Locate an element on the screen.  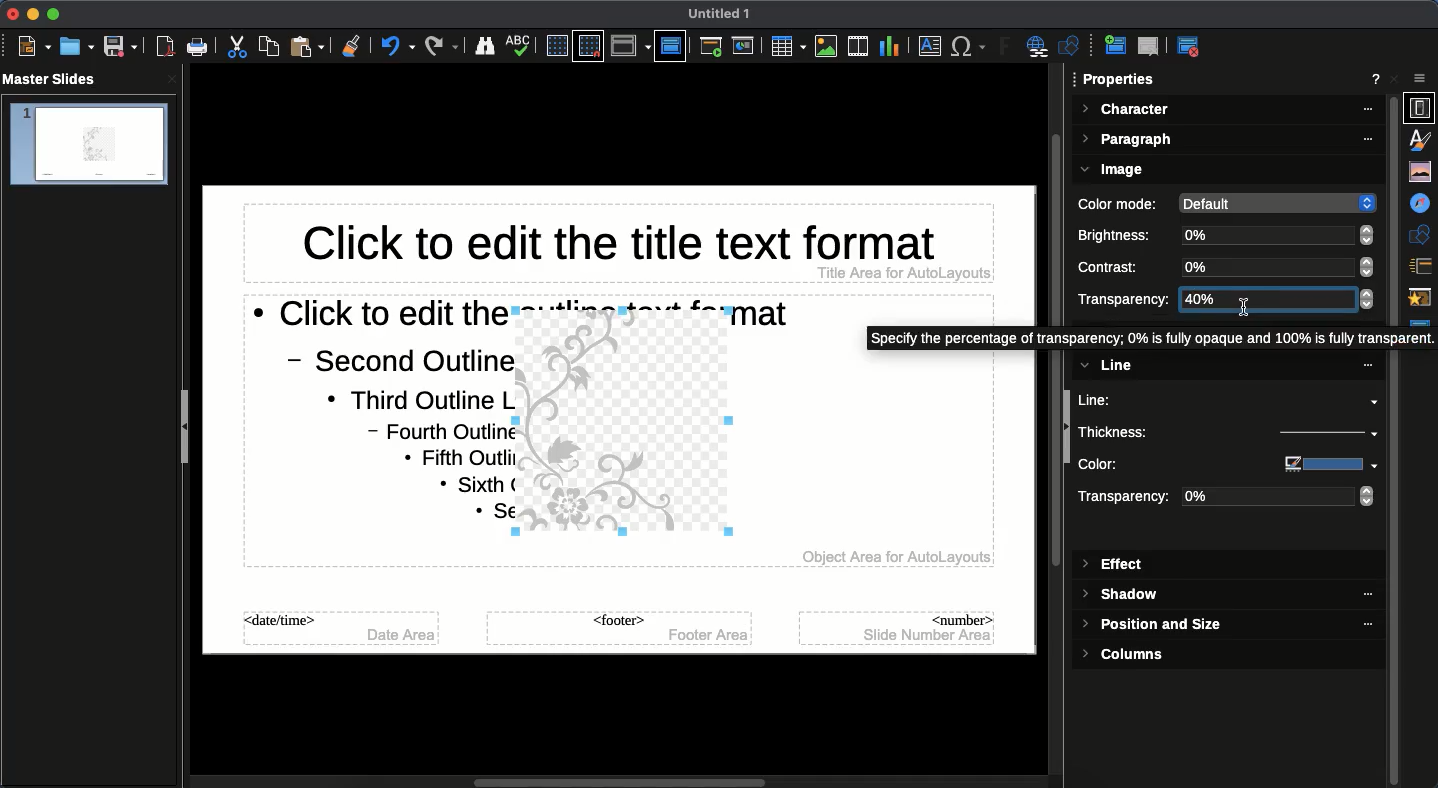
default is located at coordinates (1274, 202).